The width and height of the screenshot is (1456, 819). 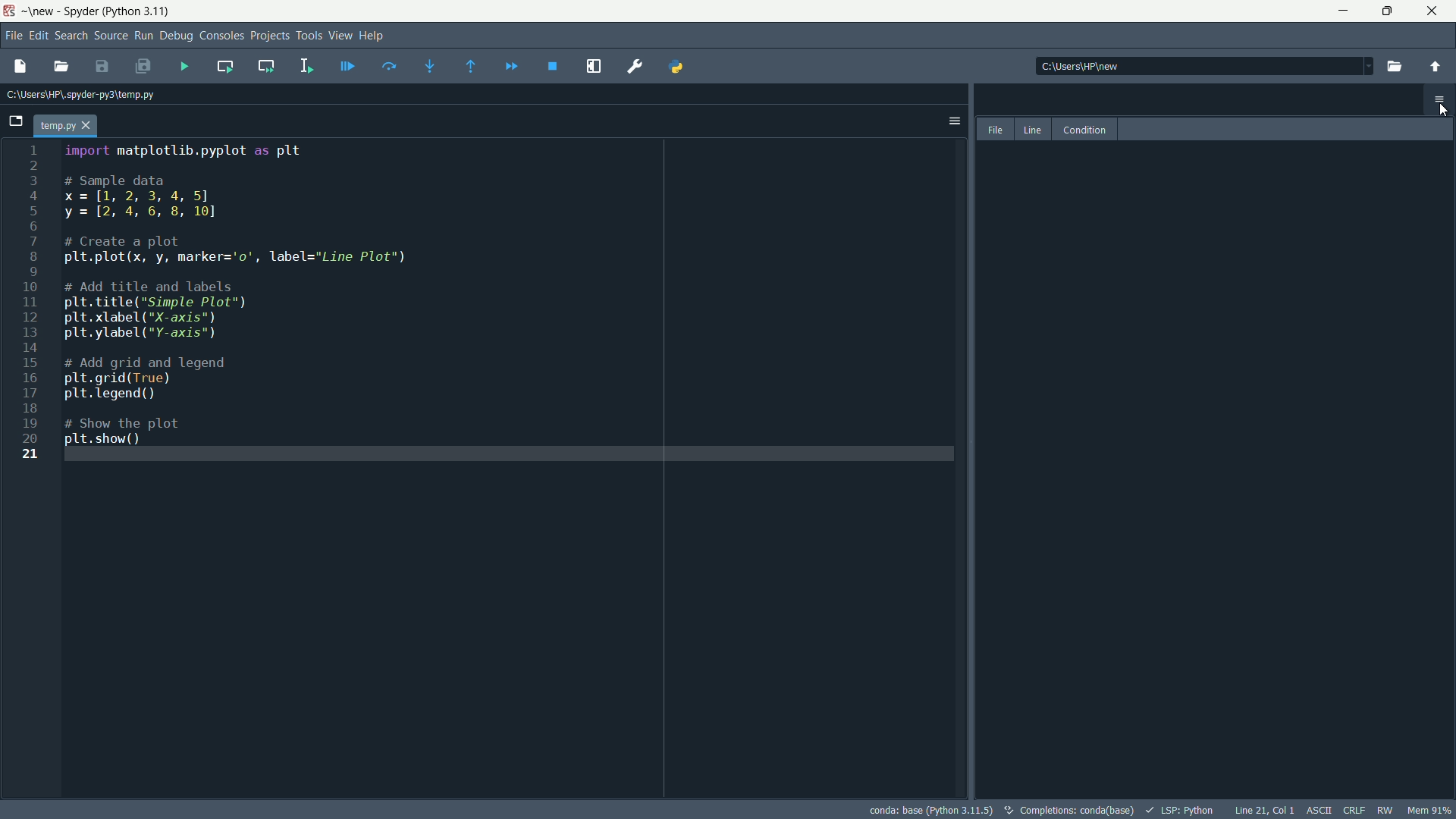 What do you see at coordinates (222, 66) in the screenshot?
I see `run current cell` at bounding box center [222, 66].